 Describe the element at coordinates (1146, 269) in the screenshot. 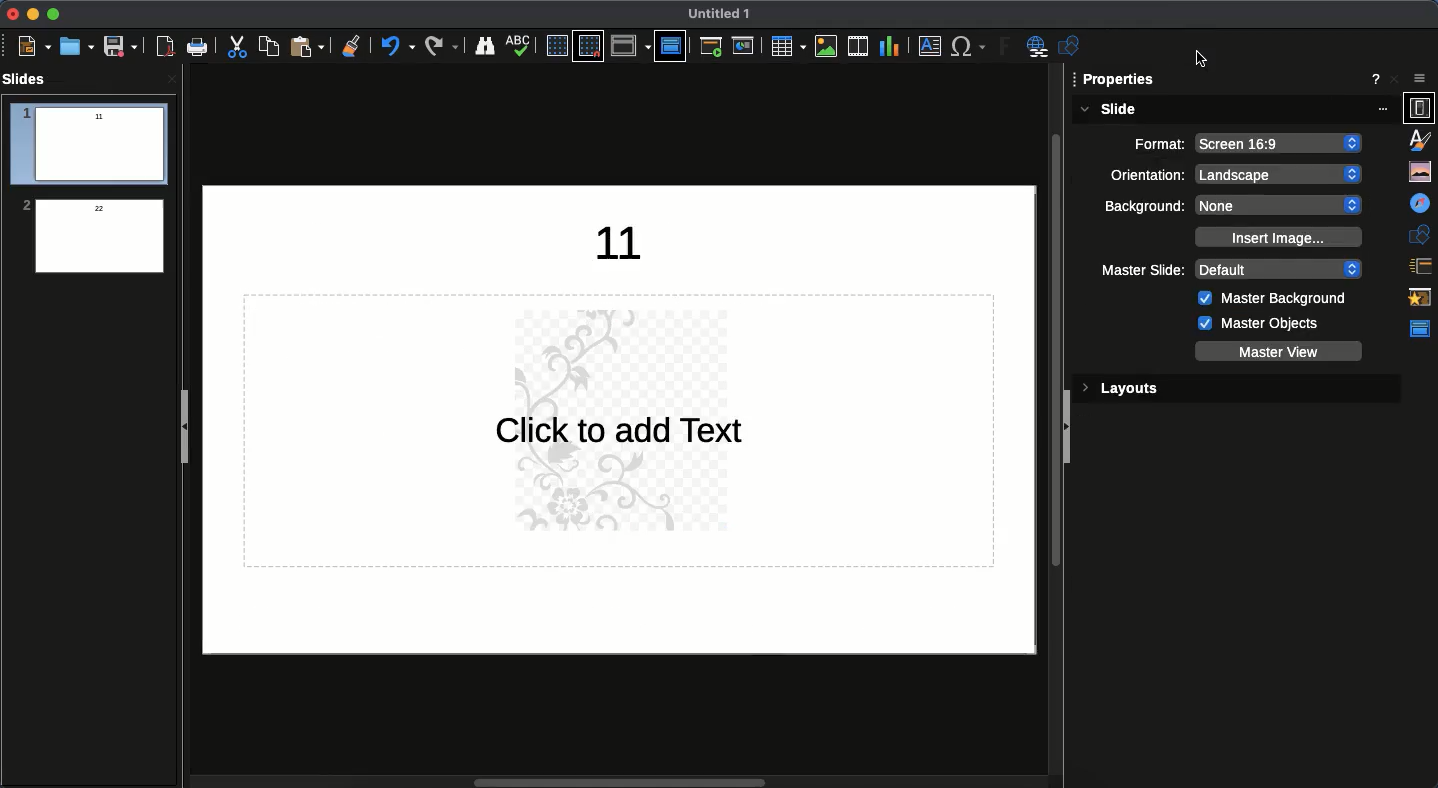

I see `Master slide` at that location.